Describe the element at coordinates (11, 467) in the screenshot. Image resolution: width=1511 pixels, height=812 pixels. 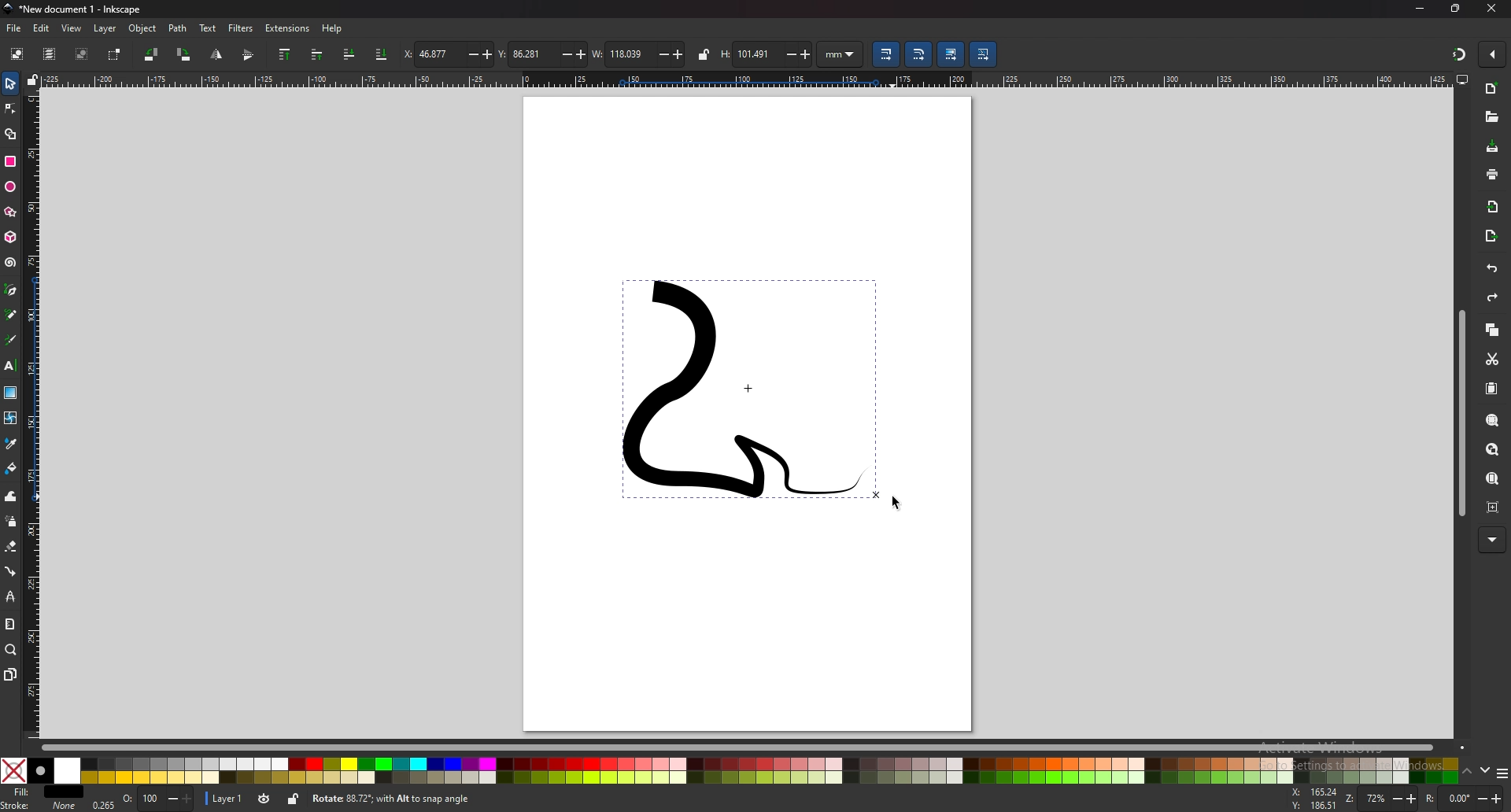
I see `paint bucket` at that location.